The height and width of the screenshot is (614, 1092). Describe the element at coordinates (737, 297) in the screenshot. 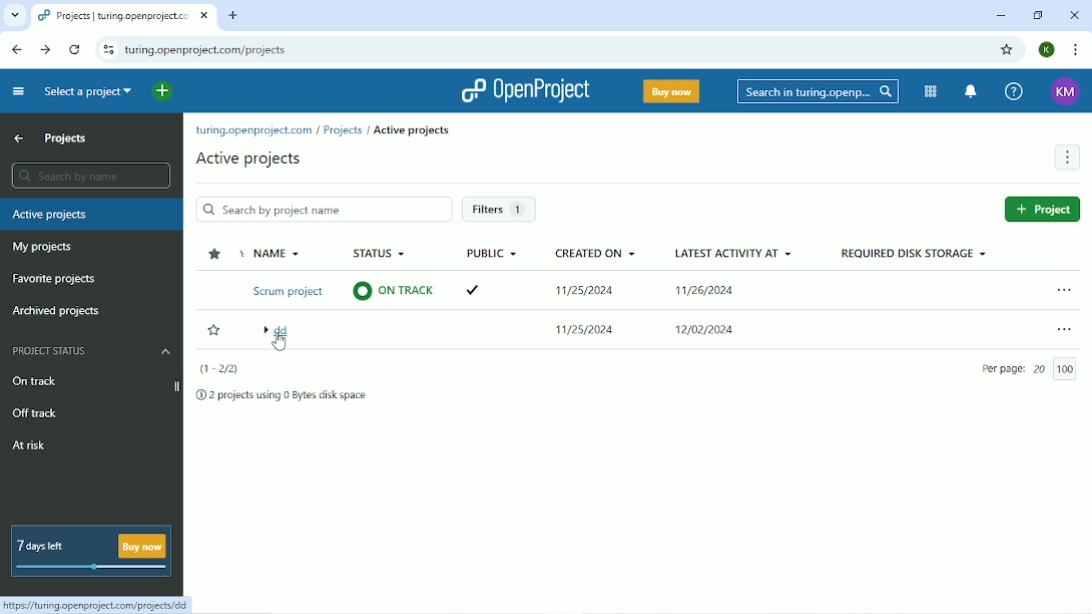

I see `Latest activity at` at that location.